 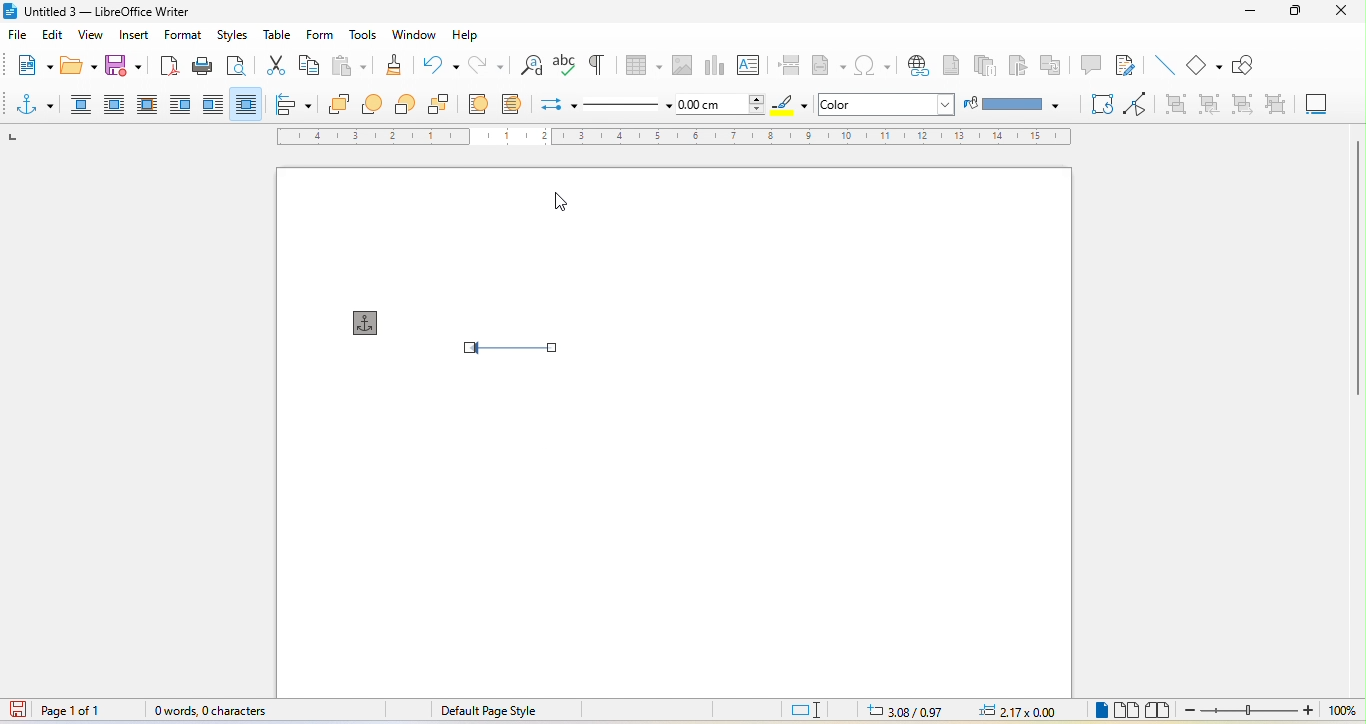 I want to click on clone formatting, so click(x=391, y=63).